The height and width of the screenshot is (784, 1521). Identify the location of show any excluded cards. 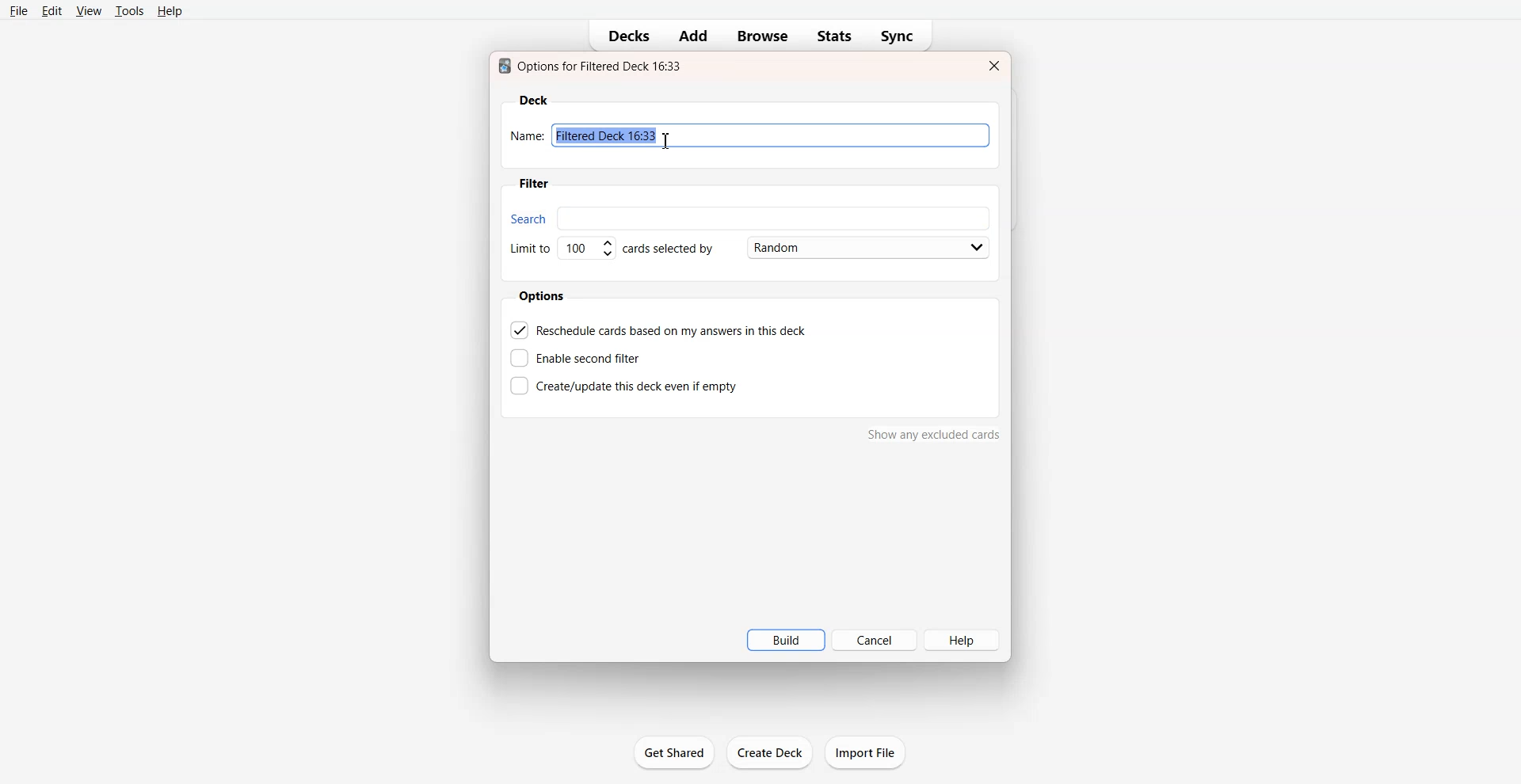
(934, 438).